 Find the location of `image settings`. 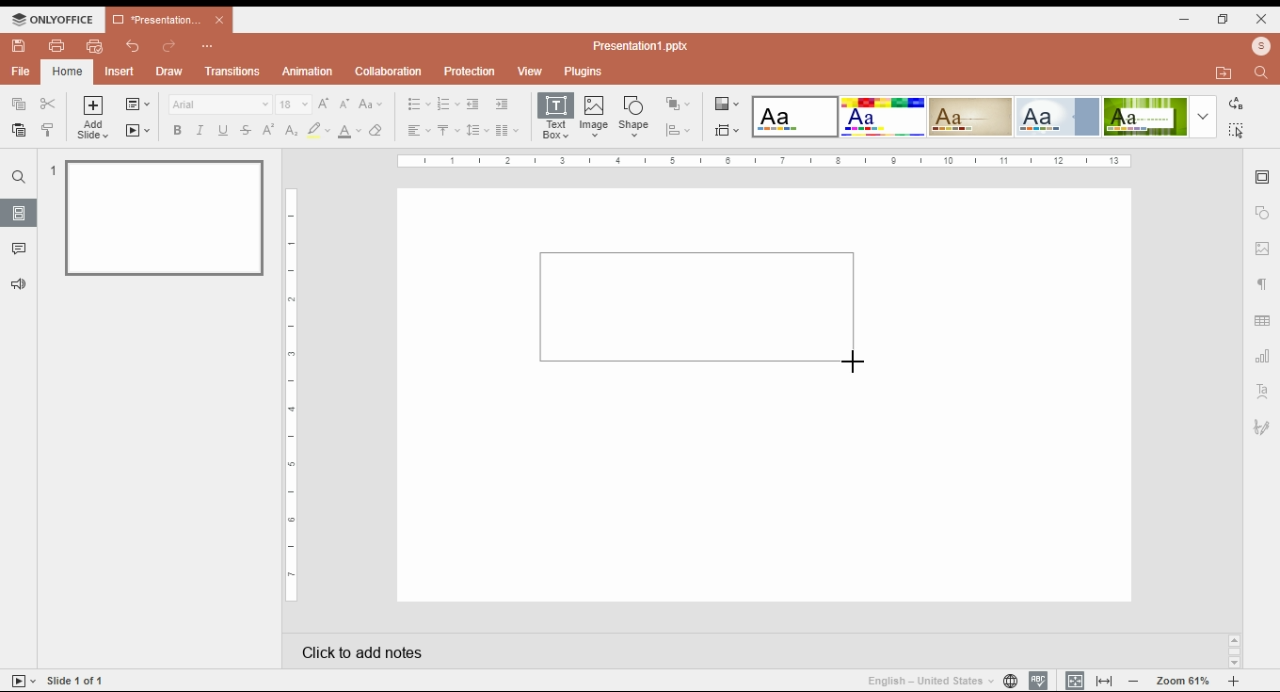

image settings is located at coordinates (1261, 250).